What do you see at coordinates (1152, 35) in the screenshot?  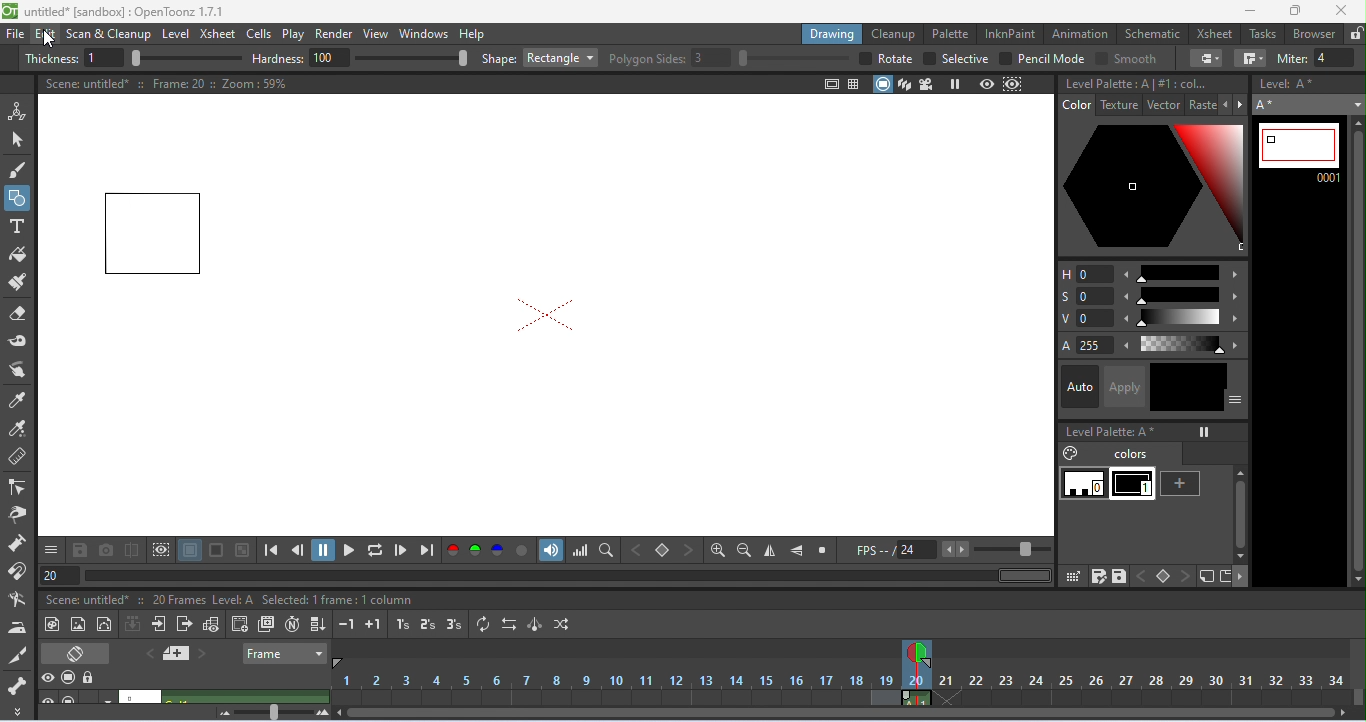 I see `schematic` at bounding box center [1152, 35].